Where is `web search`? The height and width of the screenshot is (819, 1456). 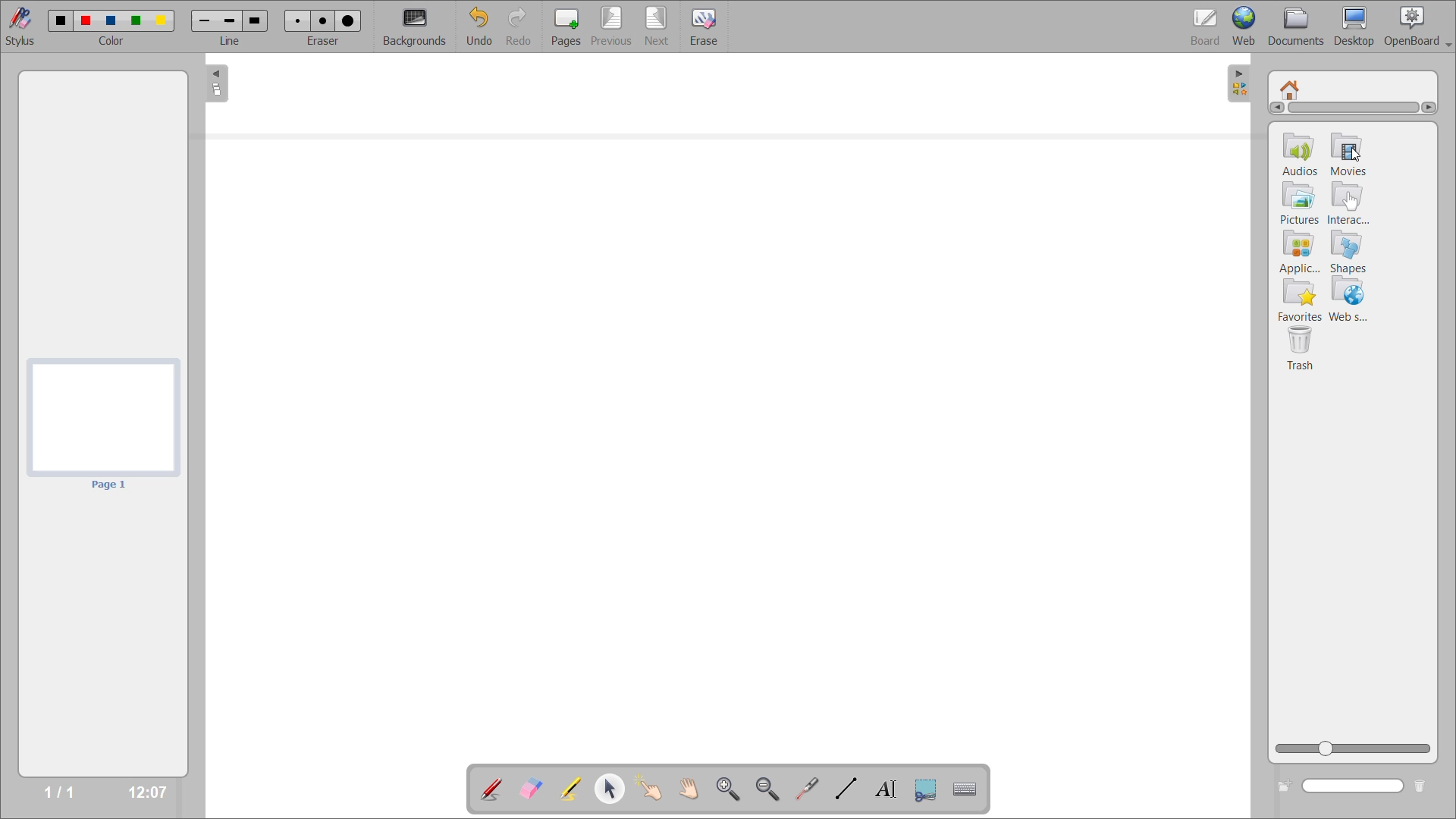 web search is located at coordinates (1354, 301).